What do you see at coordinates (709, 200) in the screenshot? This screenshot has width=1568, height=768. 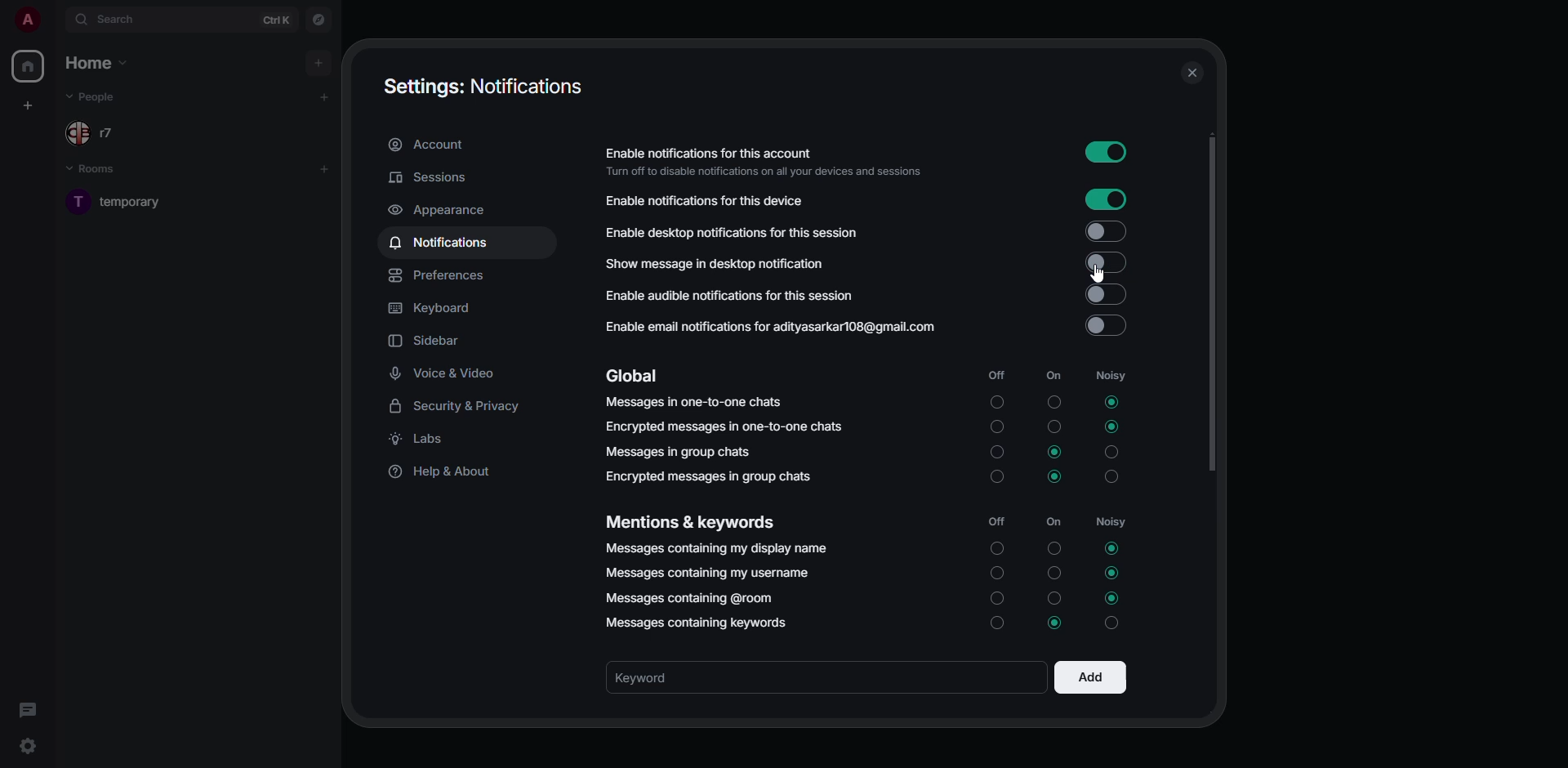 I see `enable notifications for this device` at bounding box center [709, 200].